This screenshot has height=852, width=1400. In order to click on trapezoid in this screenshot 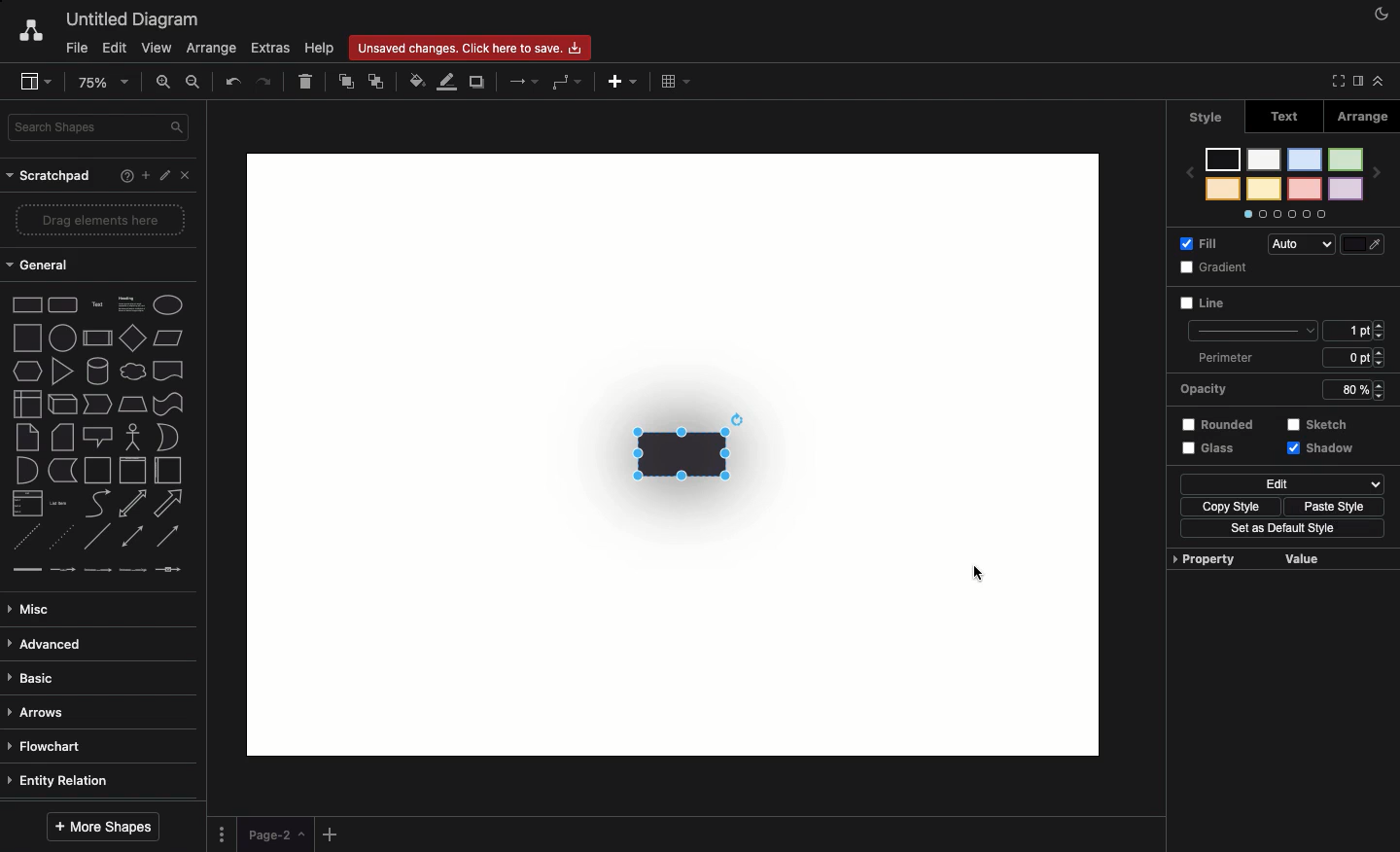, I will do `click(129, 406)`.